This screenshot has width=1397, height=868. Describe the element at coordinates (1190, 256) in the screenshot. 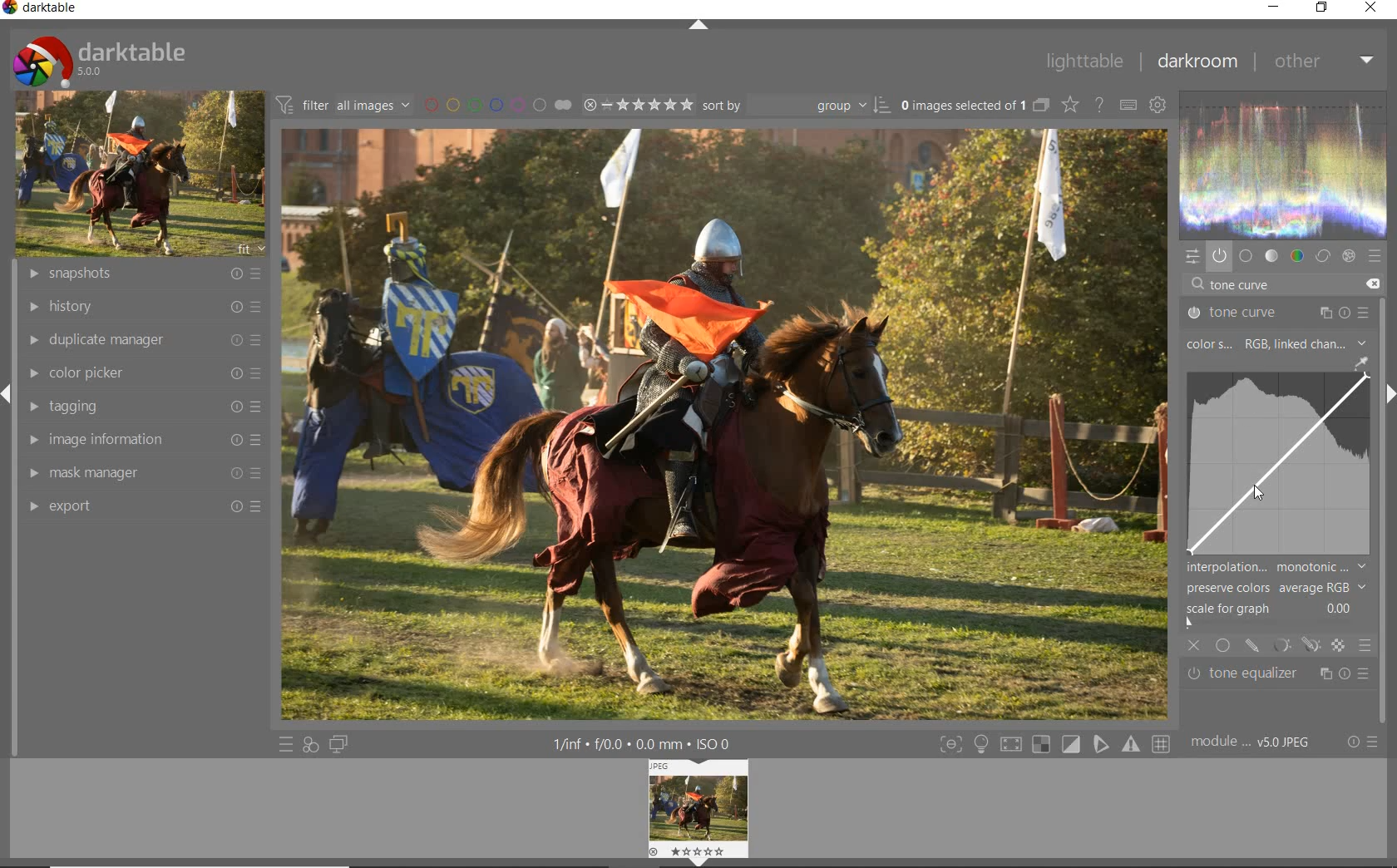

I see `quick access panel` at that location.